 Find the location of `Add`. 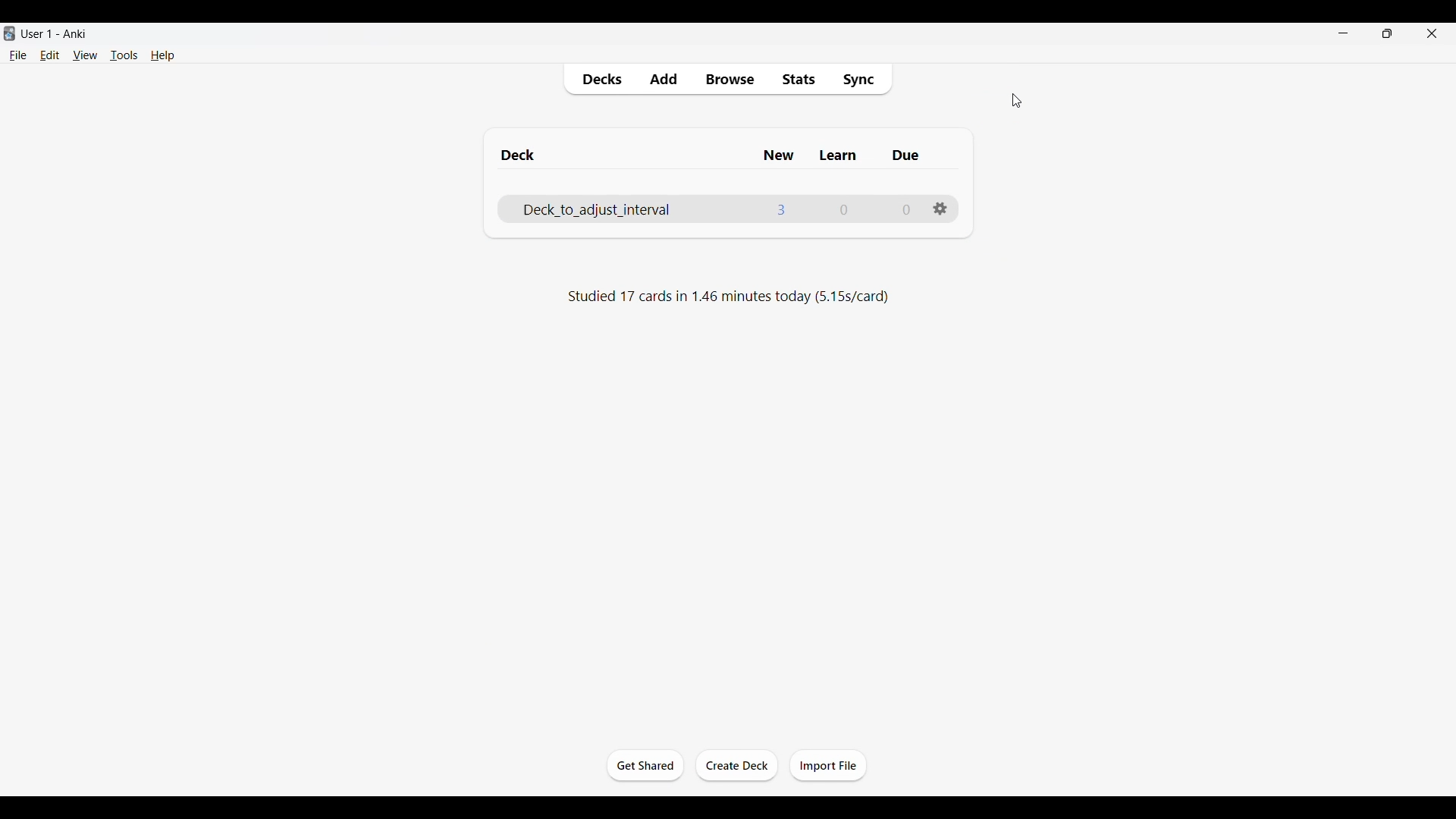

Add is located at coordinates (666, 79).